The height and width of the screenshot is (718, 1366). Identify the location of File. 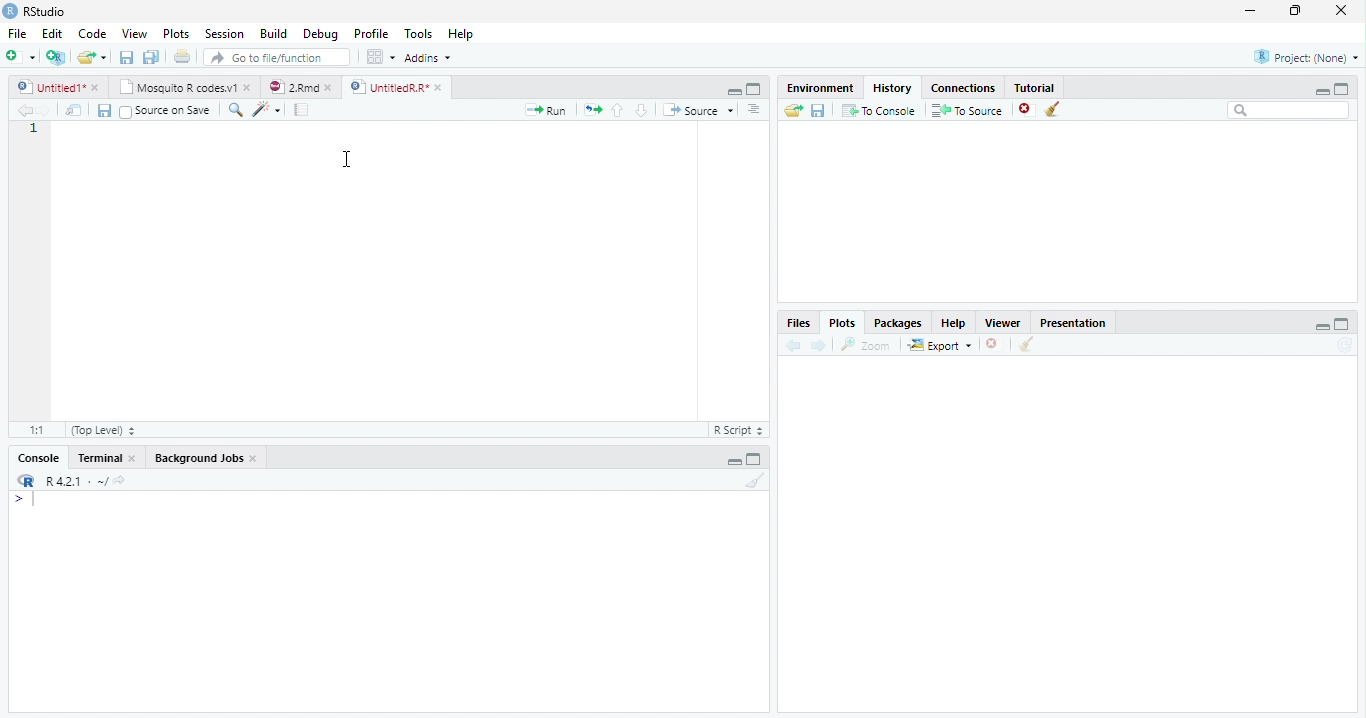
(17, 33).